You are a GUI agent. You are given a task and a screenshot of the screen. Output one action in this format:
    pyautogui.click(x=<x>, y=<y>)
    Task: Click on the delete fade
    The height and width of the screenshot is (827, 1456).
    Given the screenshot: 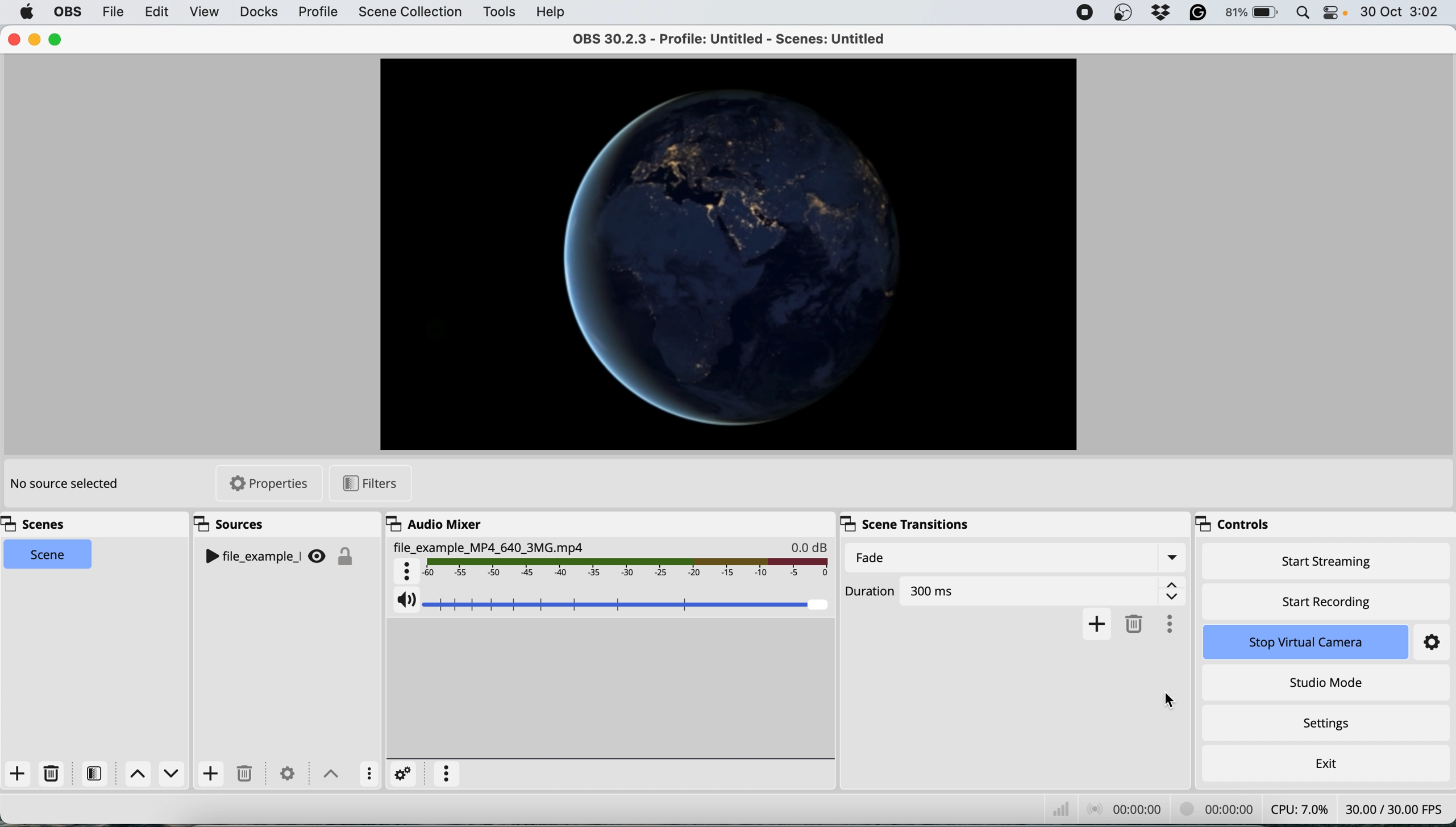 What is the action you would take?
    pyautogui.click(x=1133, y=623)
    